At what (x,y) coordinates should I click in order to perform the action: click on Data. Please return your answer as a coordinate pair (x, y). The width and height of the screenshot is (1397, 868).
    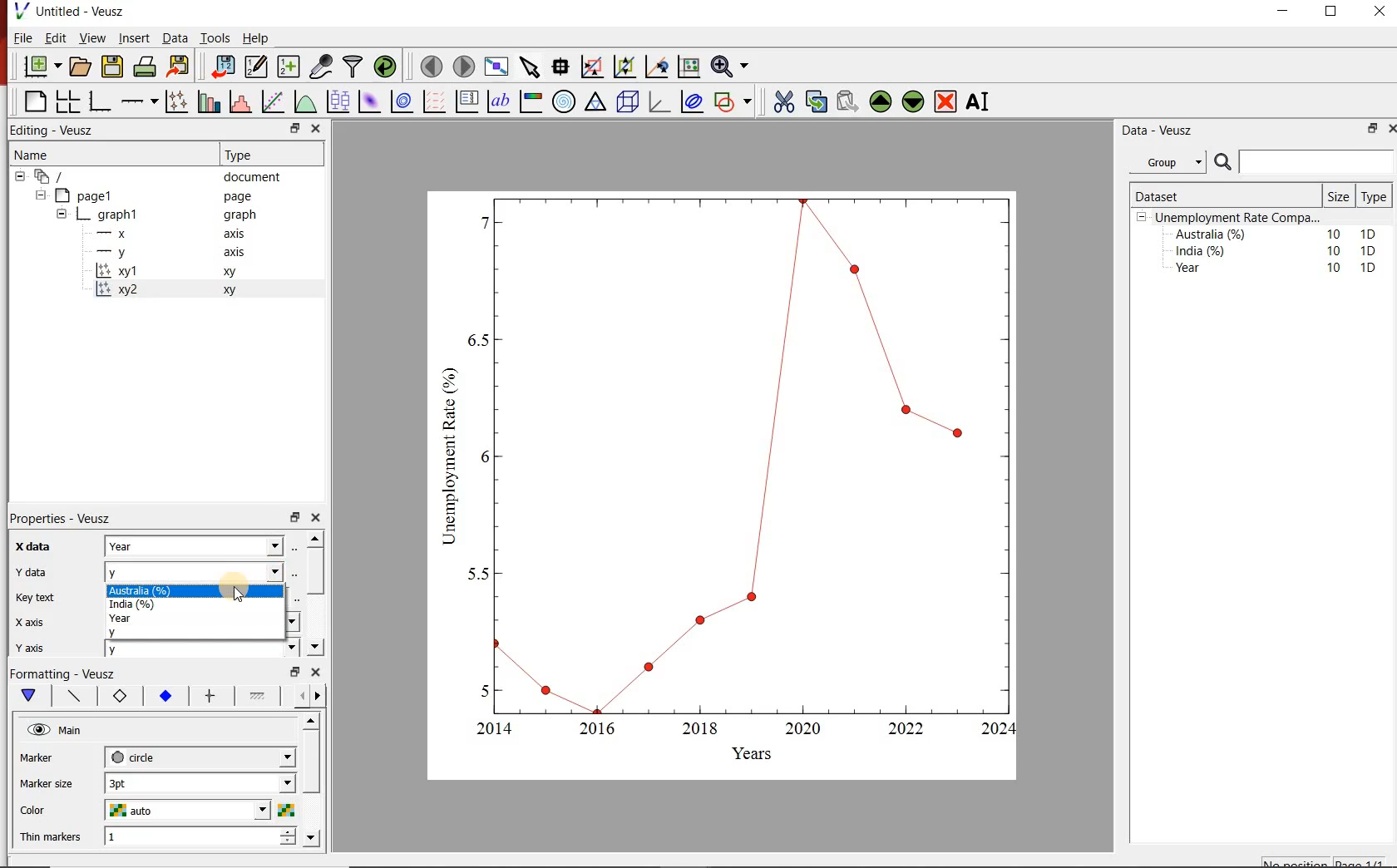
    Looking at the image, I should click on (175, 38).